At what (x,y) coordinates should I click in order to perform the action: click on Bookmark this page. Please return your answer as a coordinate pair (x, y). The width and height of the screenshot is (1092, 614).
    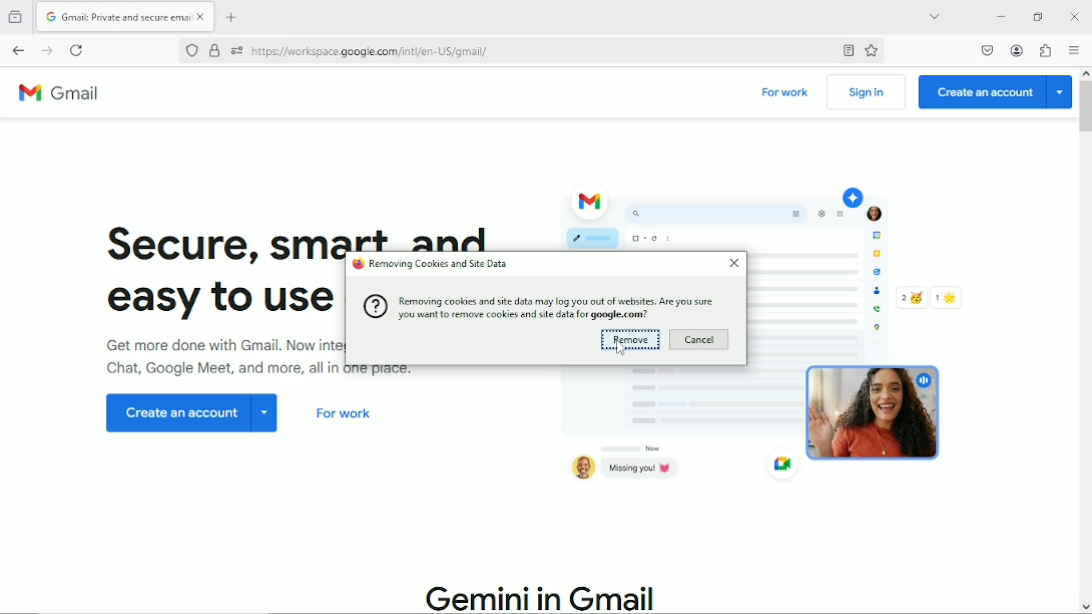
    Looking at the image, I should click on (871, 52).